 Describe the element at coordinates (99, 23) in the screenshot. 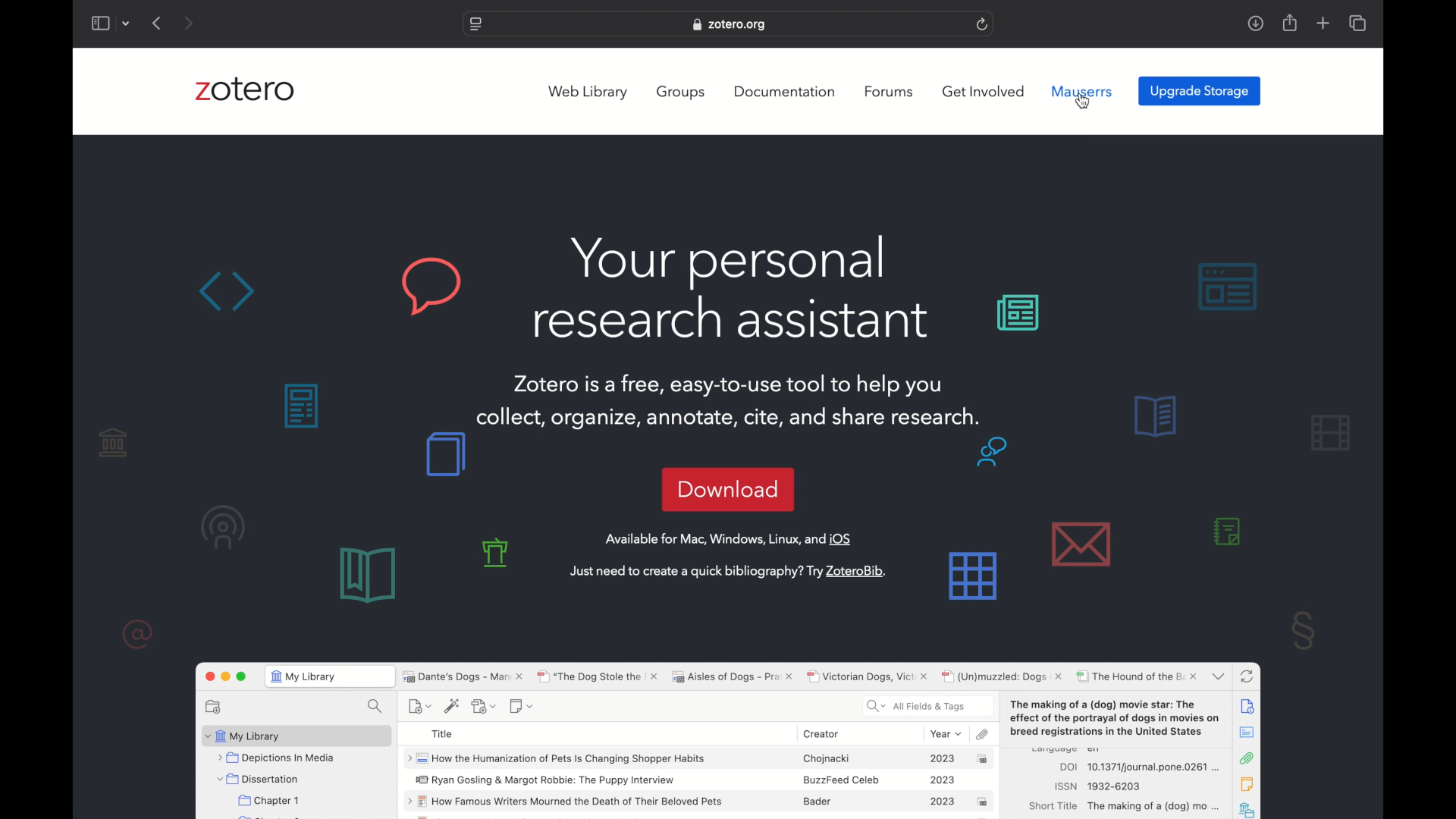

I see `show sidebar` at that location.